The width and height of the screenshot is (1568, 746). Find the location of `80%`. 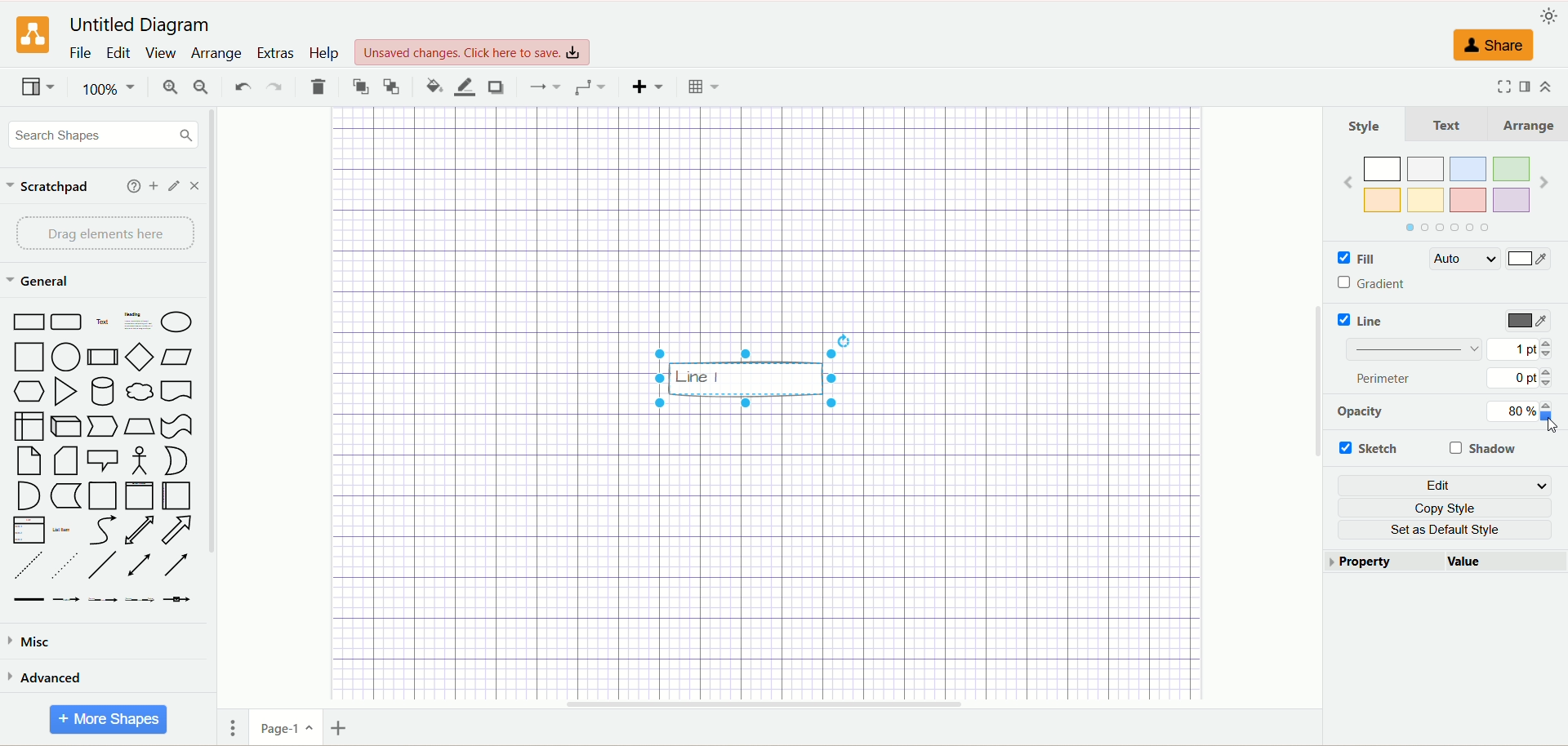

80% is located at coordinates (1522, 413).